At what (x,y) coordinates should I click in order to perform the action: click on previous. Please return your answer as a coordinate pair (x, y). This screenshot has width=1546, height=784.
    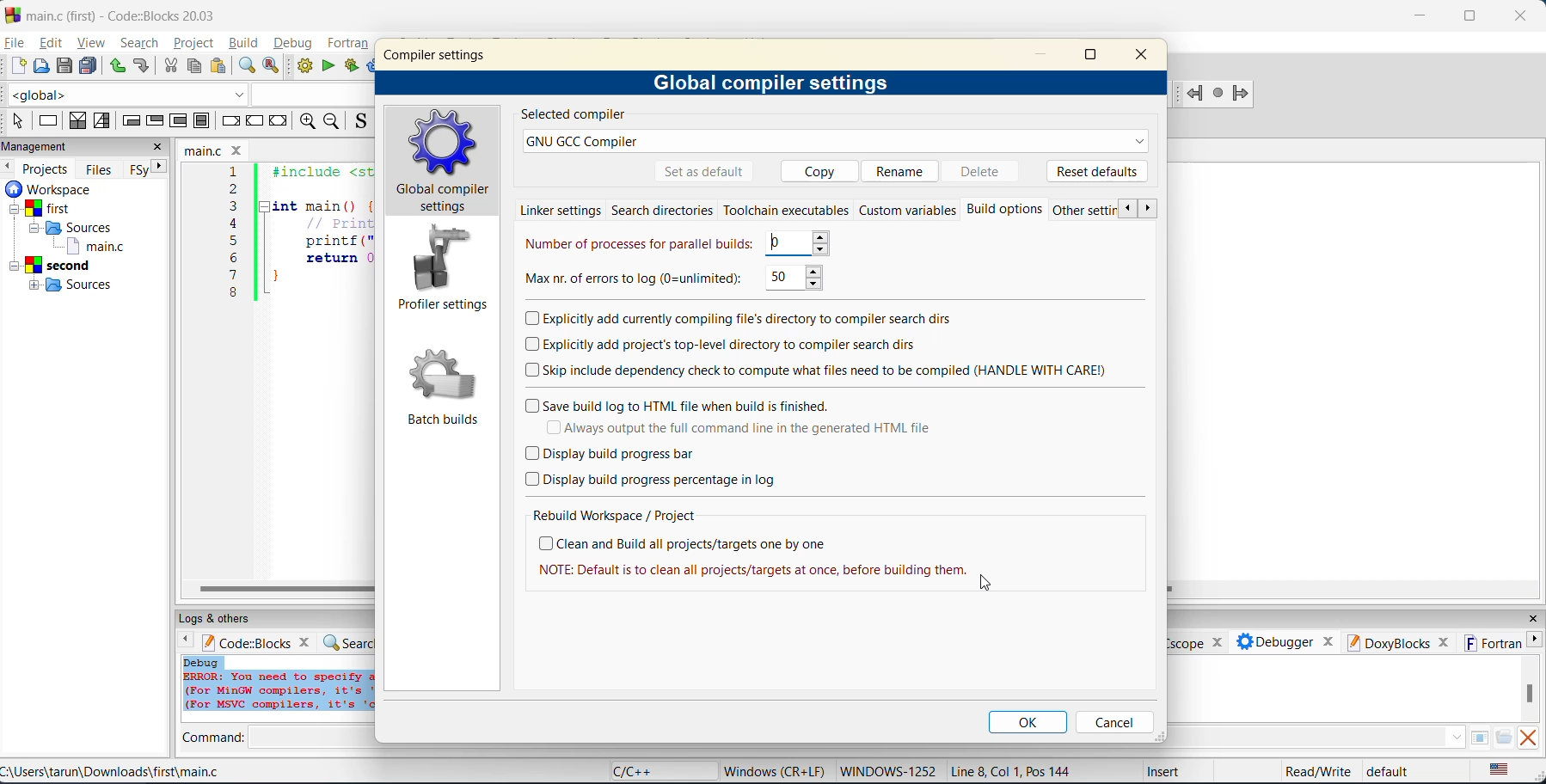
    Looking at the image, I should click on (1128, 209).